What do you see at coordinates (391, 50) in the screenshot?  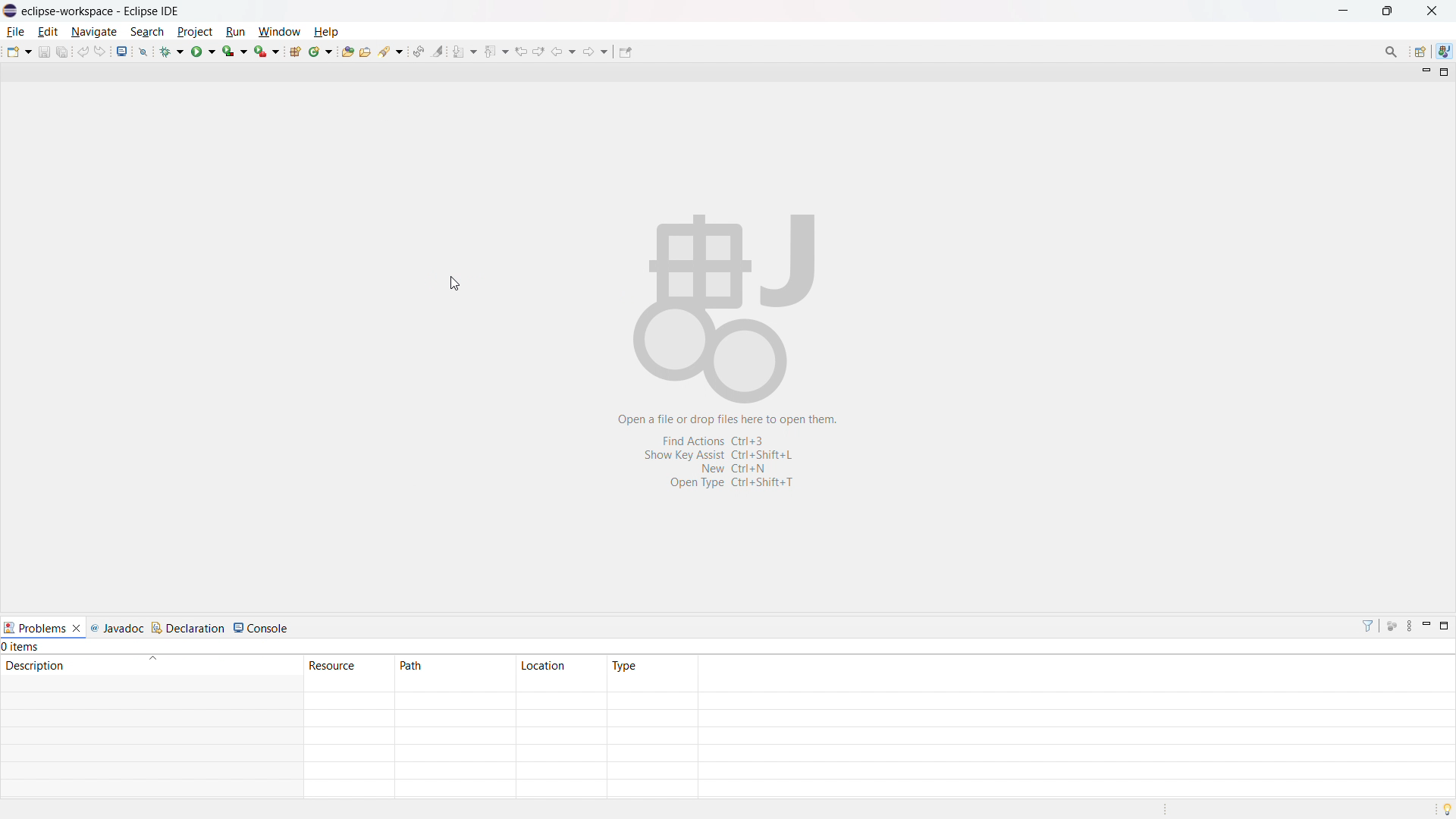 I see `search` at bounding box center [391, 50].